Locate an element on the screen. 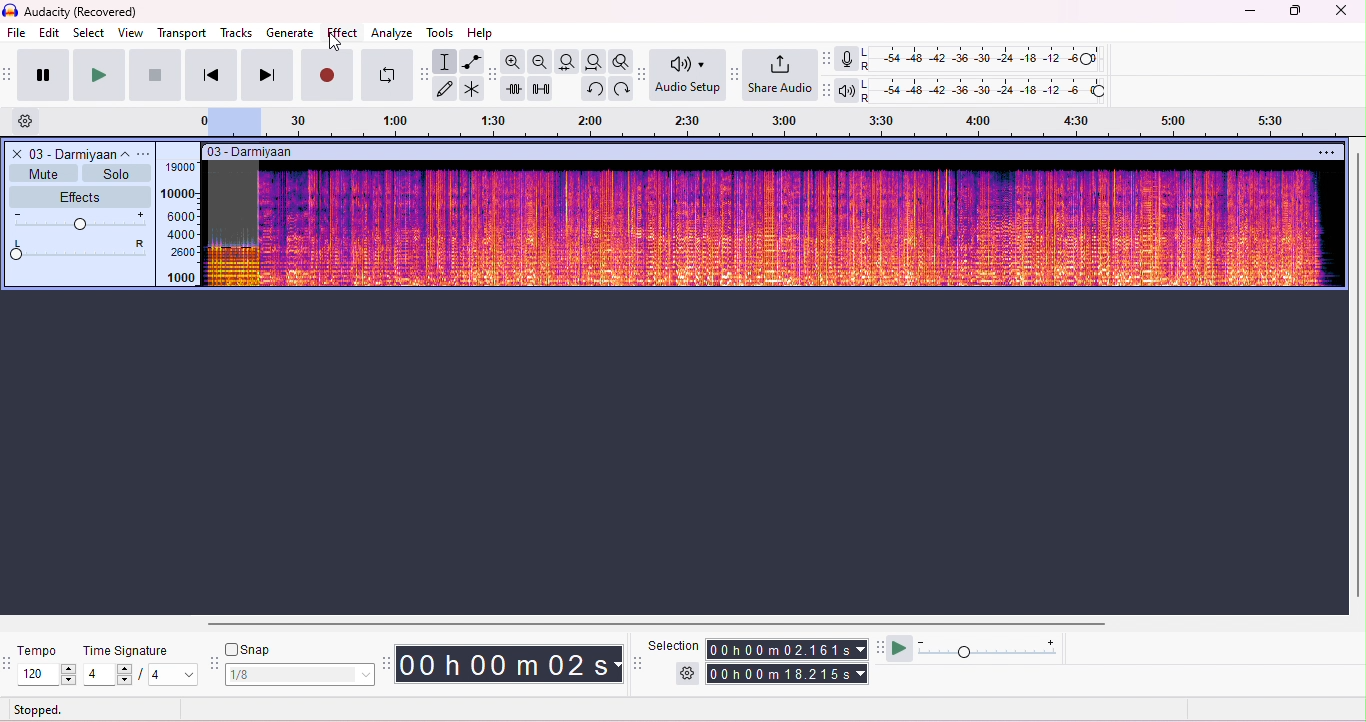 This screenshot has width=1366, height=722. close is located at coordinates (1340, 12).